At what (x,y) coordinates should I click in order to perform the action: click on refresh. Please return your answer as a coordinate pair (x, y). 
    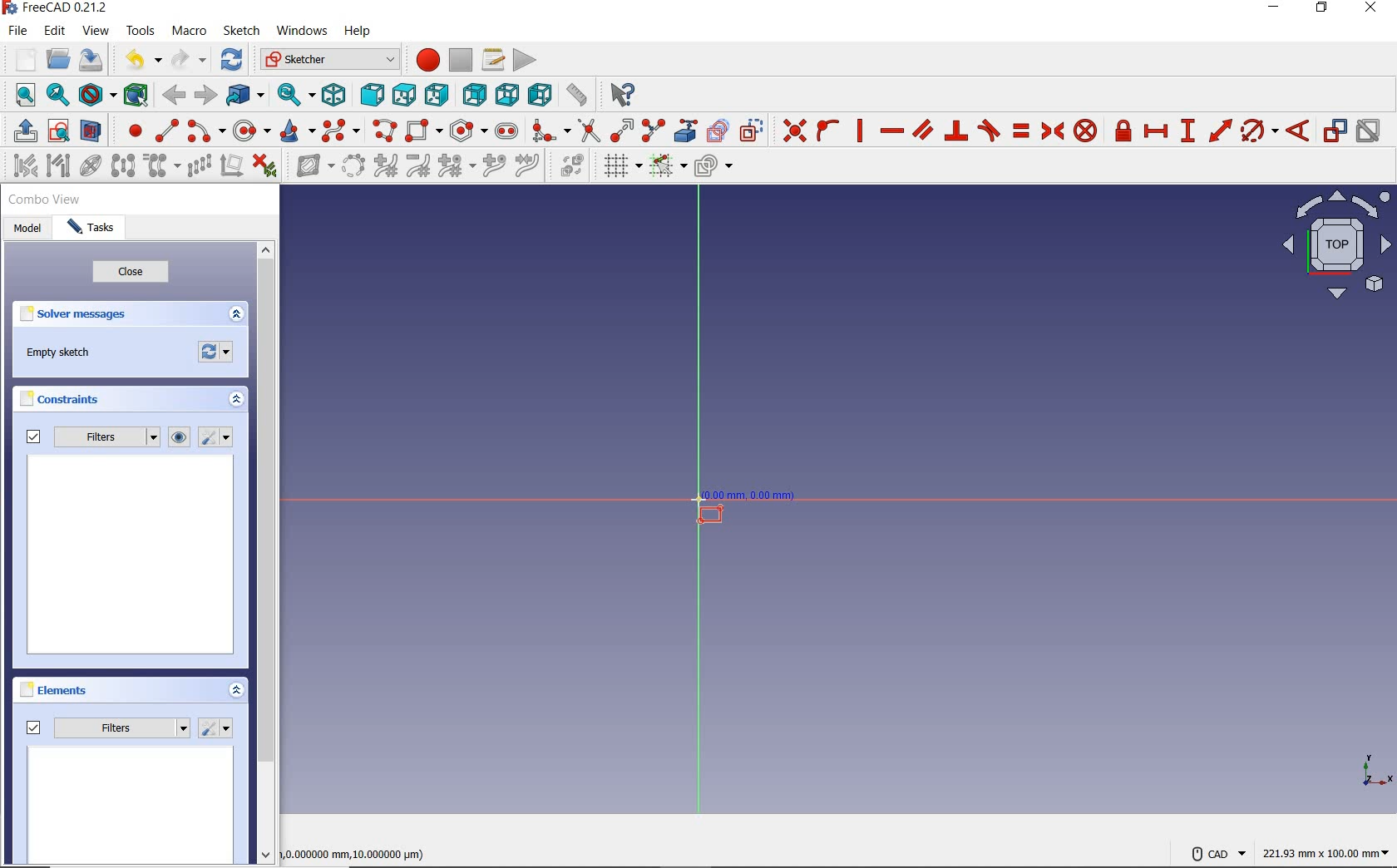
    Looking at the image, I should click on (233, 61).